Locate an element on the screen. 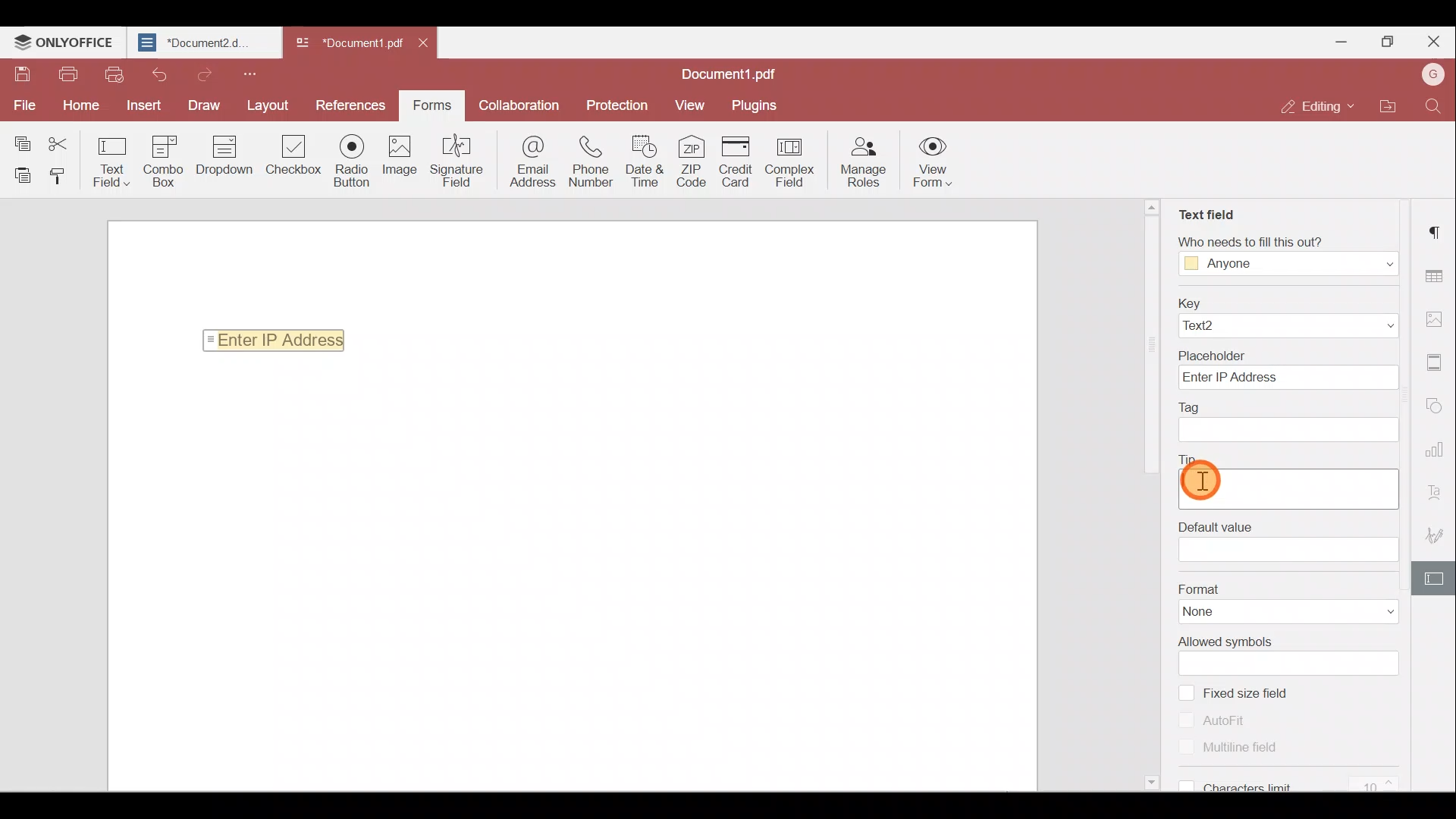  Document1. pdf is located at coordinates (346, 42).